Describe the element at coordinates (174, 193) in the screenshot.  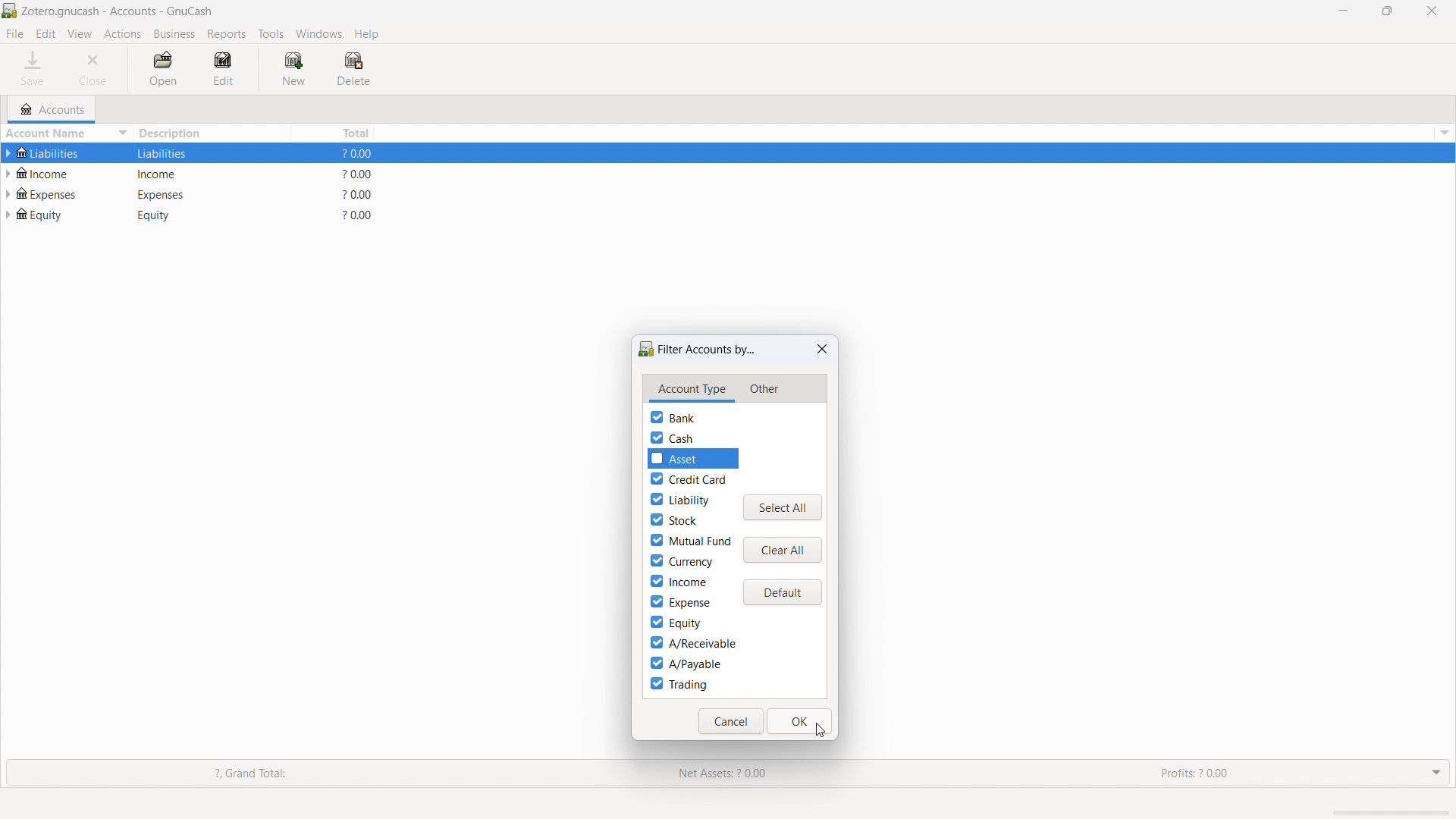
I see `expenses` at that location.